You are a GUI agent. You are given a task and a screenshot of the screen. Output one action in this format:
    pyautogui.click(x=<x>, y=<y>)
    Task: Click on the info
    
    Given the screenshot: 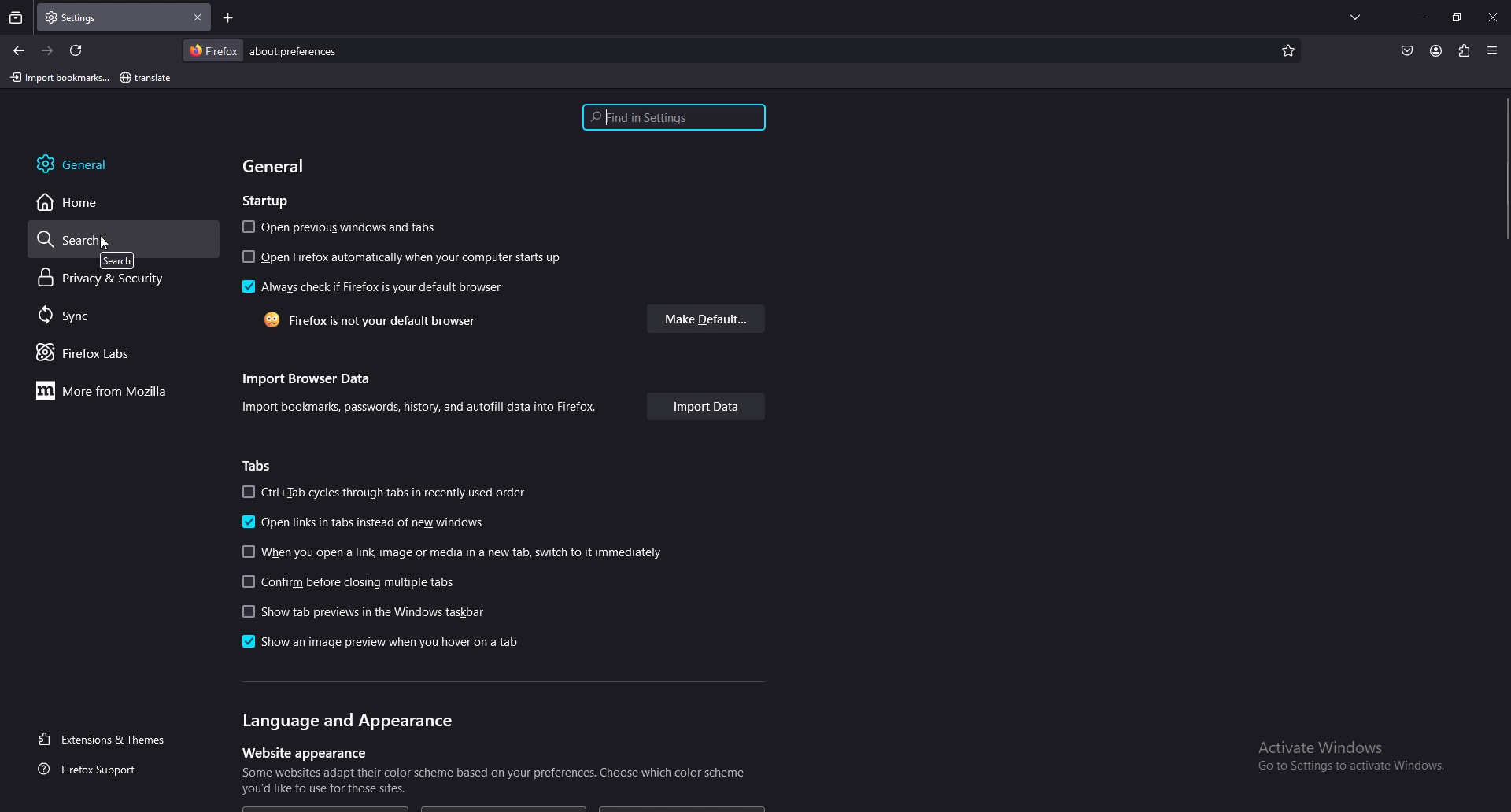 What is the action you would take?
    pyautogui.click(x=419, y=407)
    